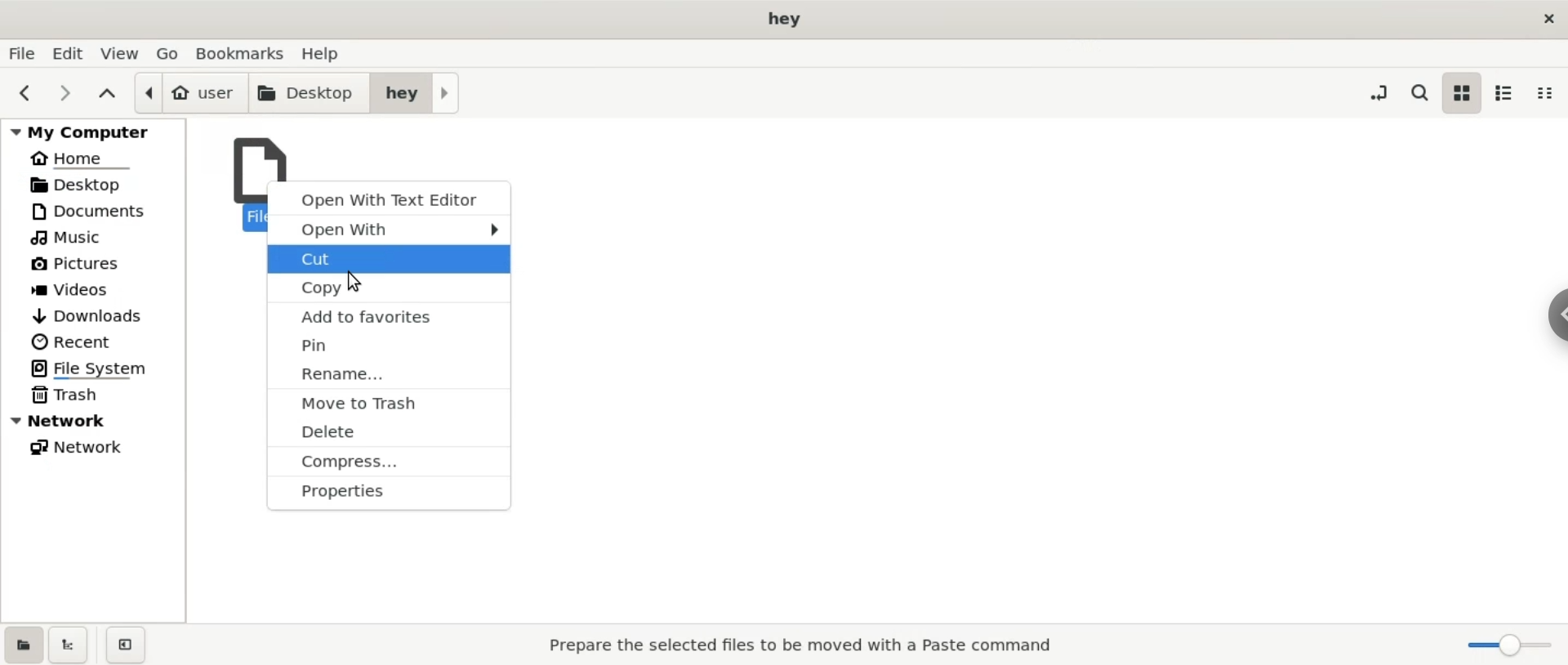 This screenshot has width=1568, height=665. What do you see at coordinates (356, 282) in the screenshot?
I see `cursor` at bounding box center [356, 282].